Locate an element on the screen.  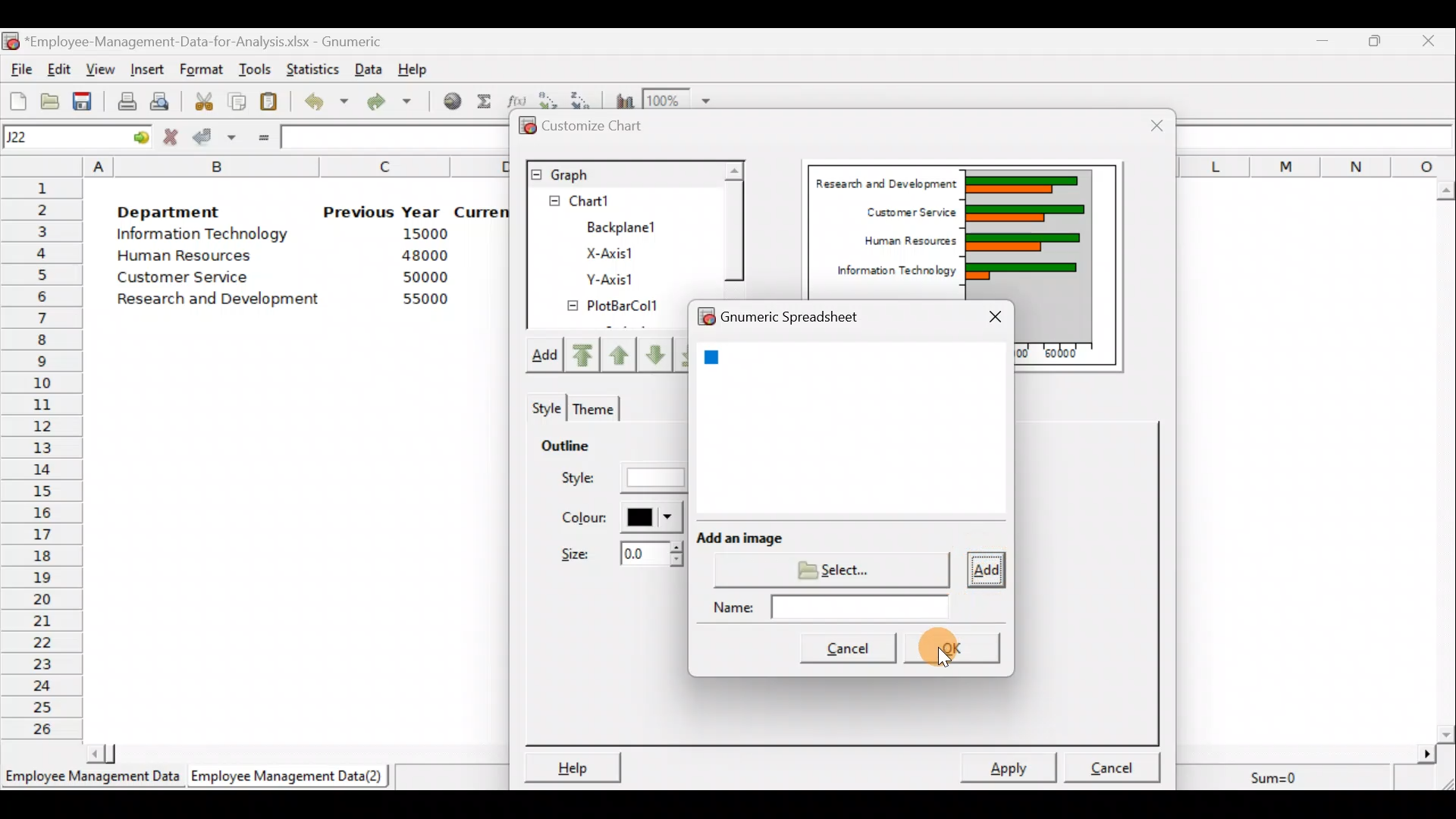
Move up is located at coordinates (652, 353).